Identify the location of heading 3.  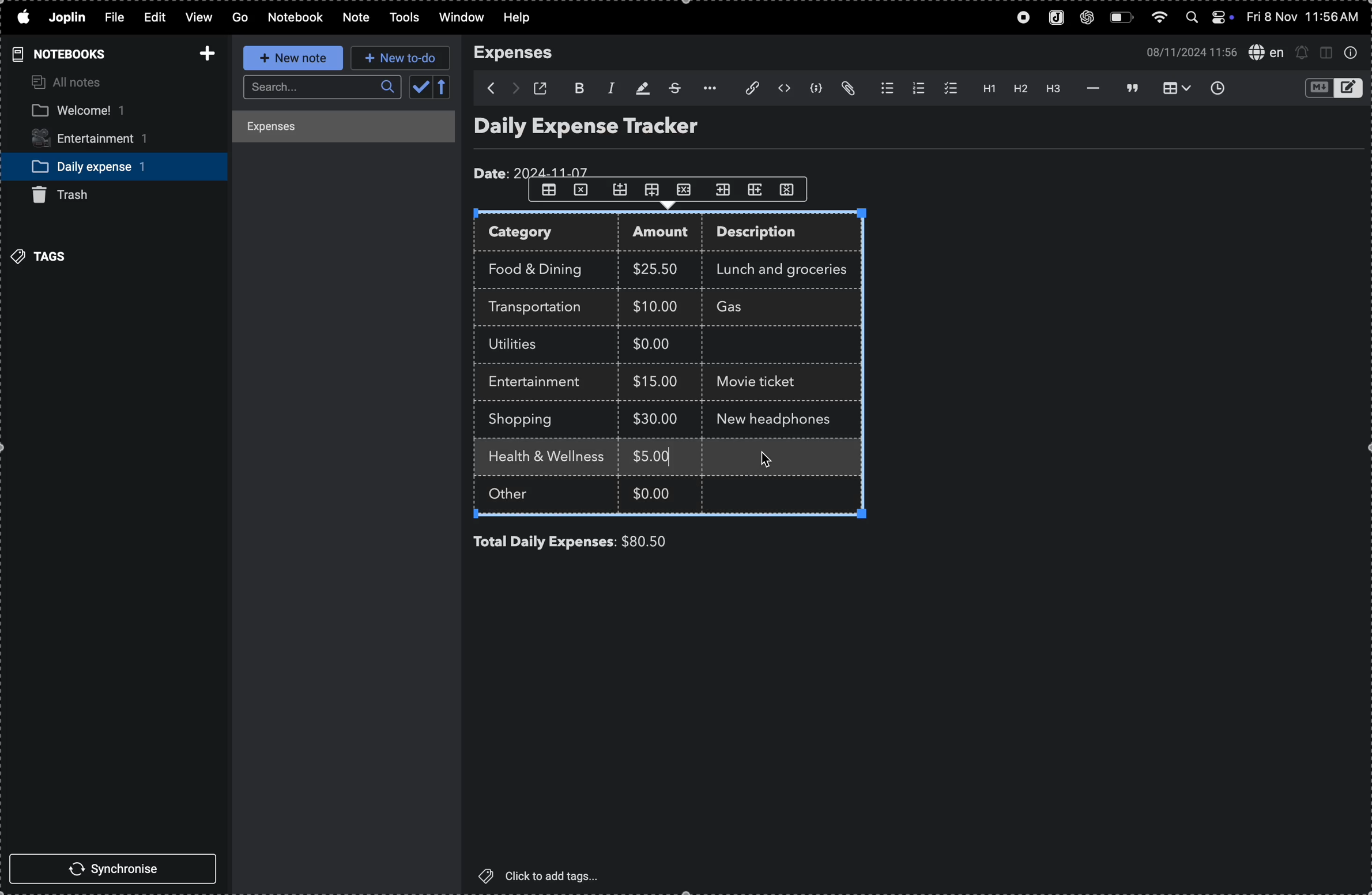
(1054, 90).